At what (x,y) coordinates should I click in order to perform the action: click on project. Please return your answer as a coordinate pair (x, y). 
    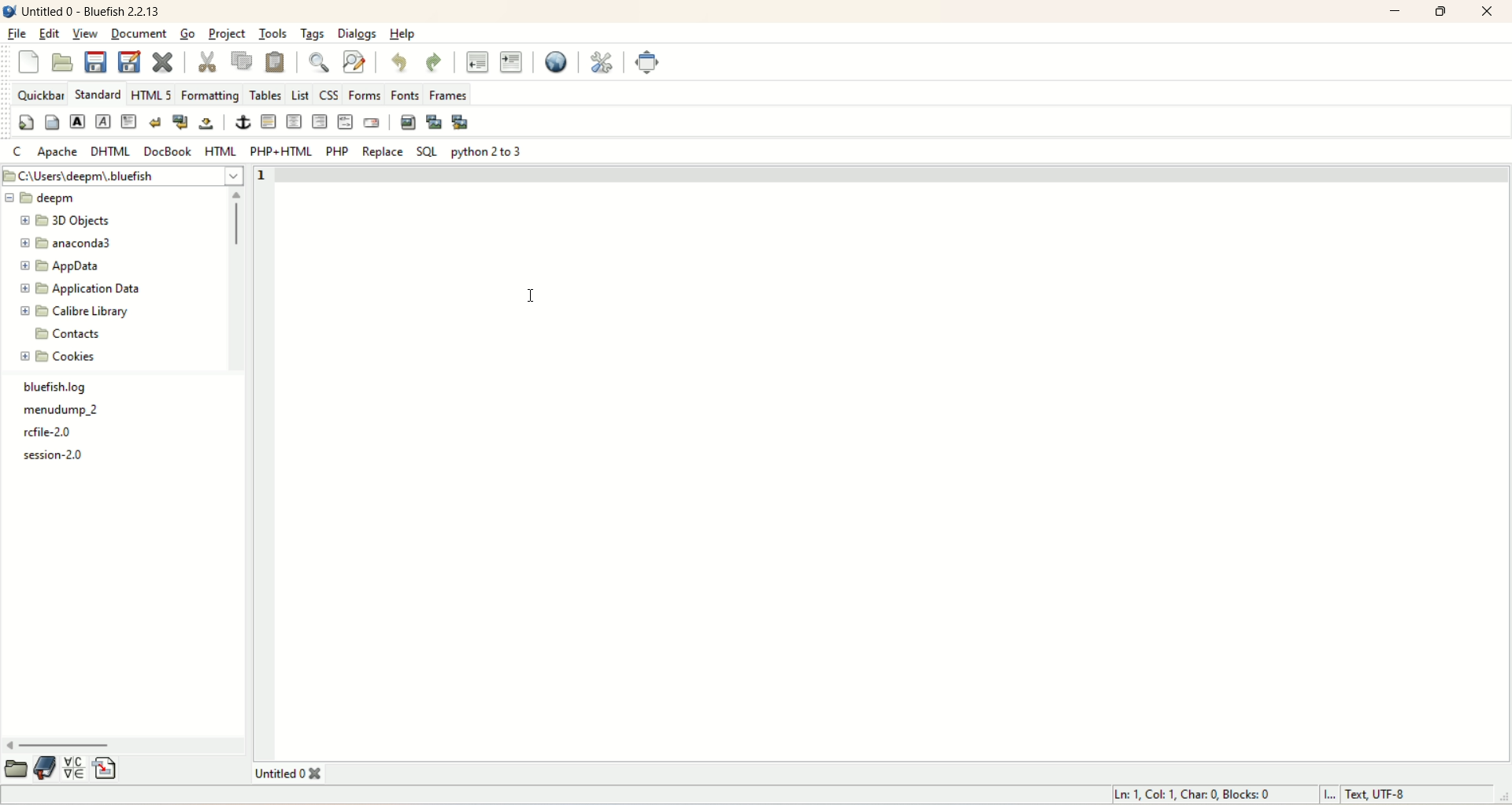
    Looking at the image, I should click on (229, 35).